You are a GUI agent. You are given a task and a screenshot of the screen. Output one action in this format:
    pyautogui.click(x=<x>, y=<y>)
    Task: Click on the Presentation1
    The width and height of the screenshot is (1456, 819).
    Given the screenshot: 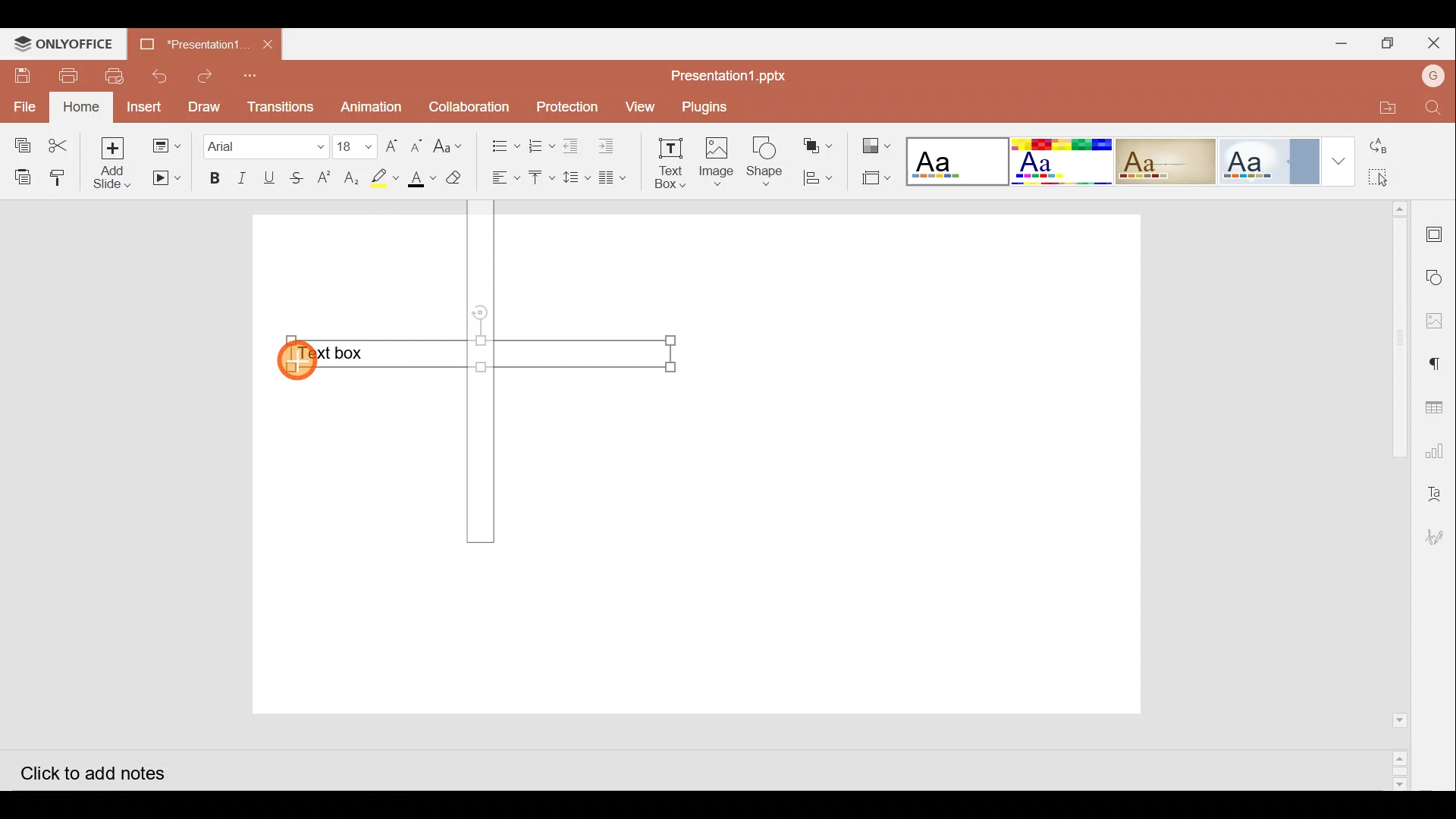 What is the action you would take?
    pyautogui.click(x=188, y=43)
    